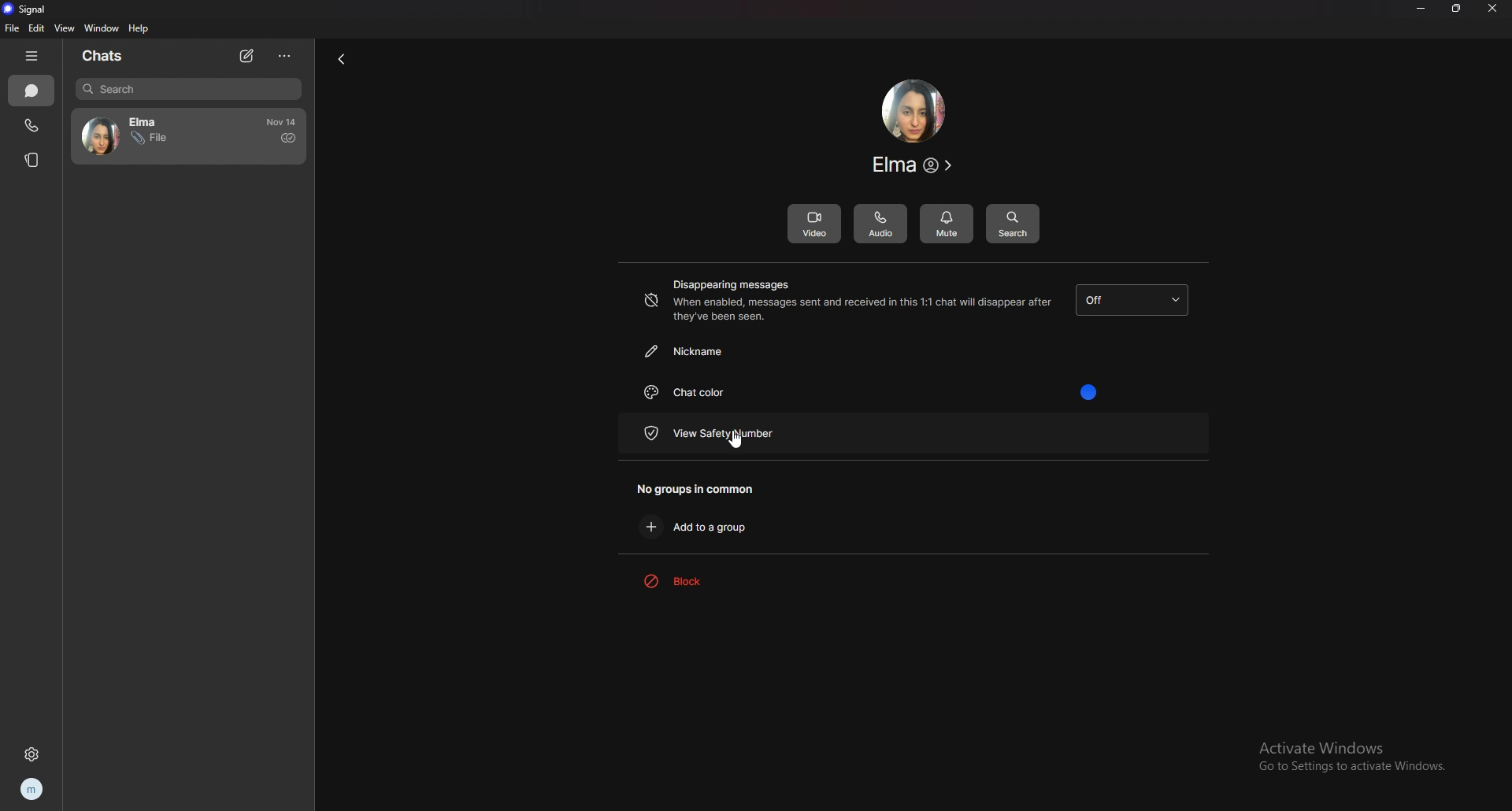 The width and height of the screenshot is (1512, 811). What do you see at coordinates (881, 222) in the screenshot?
I see `audio` at bounding box center [881, 222].